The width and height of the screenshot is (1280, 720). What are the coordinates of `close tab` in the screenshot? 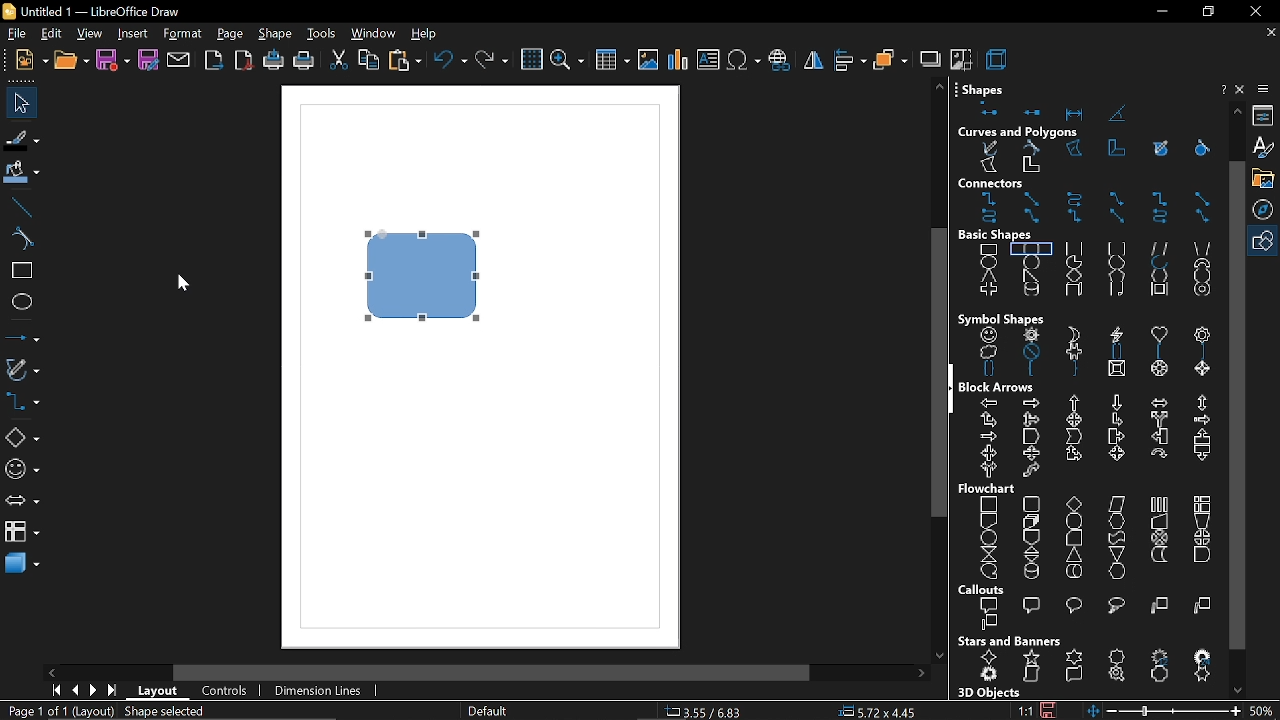 It's located at (1271, 33).